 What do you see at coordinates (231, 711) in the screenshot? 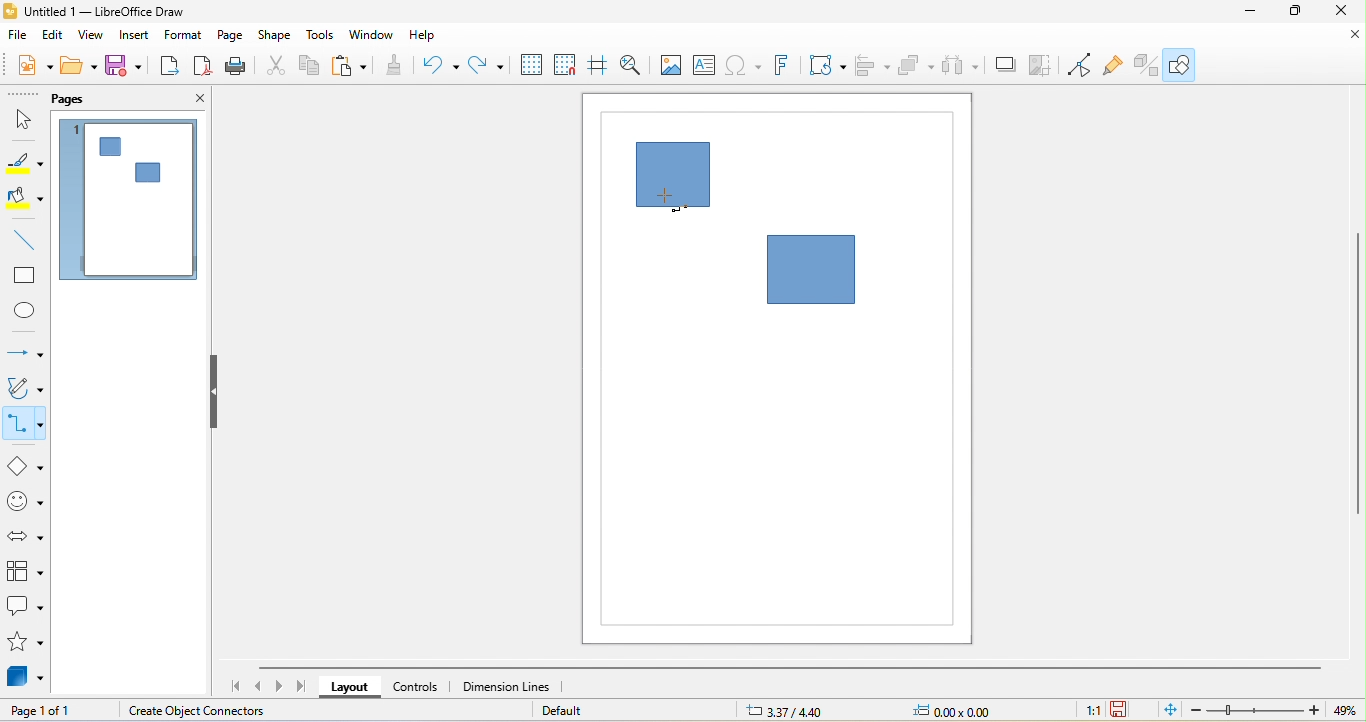
I see `create object connectors` at bounding box center [231, 711].